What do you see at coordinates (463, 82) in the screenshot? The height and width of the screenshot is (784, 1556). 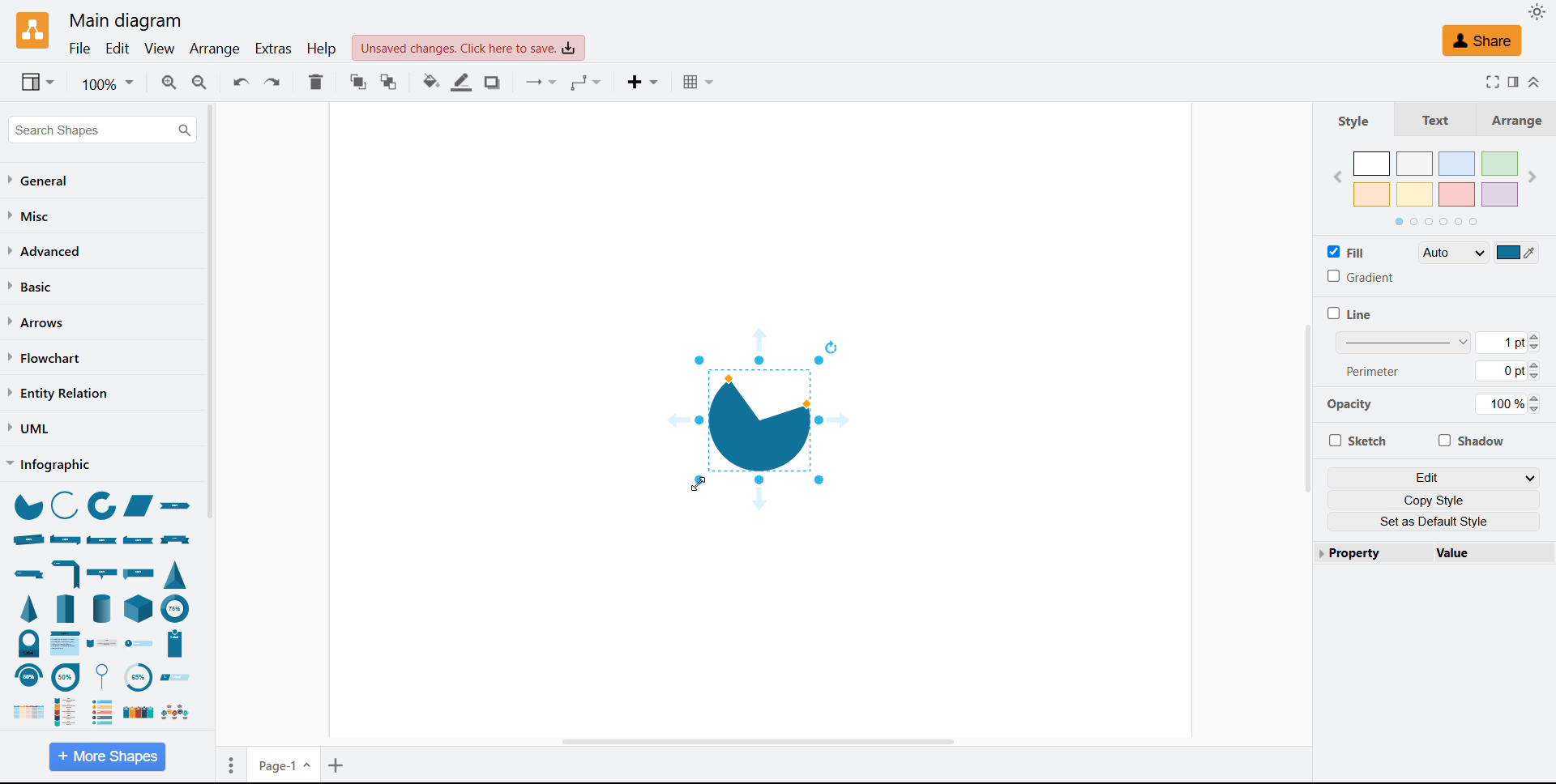 I see `Line colour ` at bounding box center [463, 82].